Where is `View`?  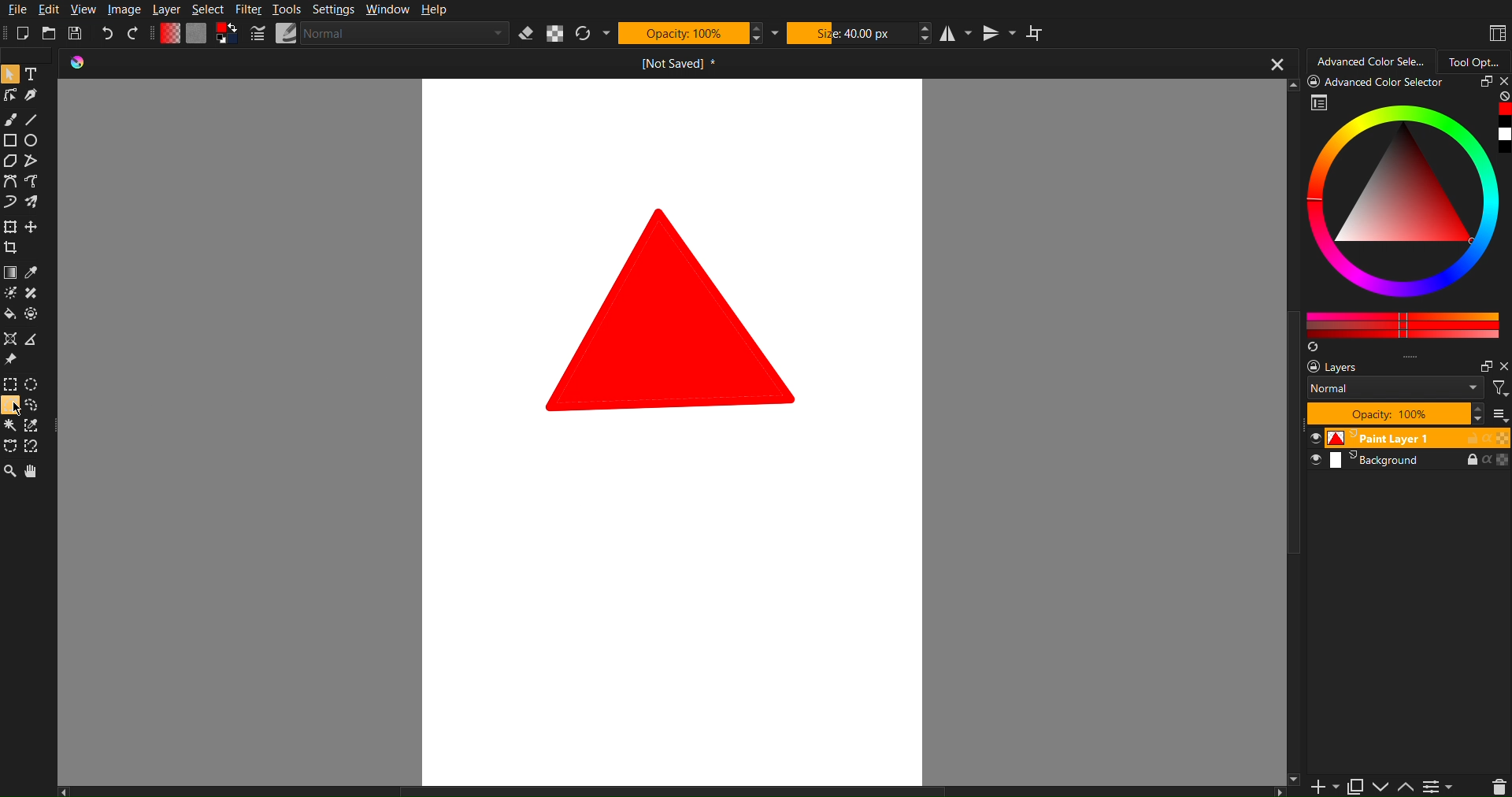
View is located at coordinates (85, 10).